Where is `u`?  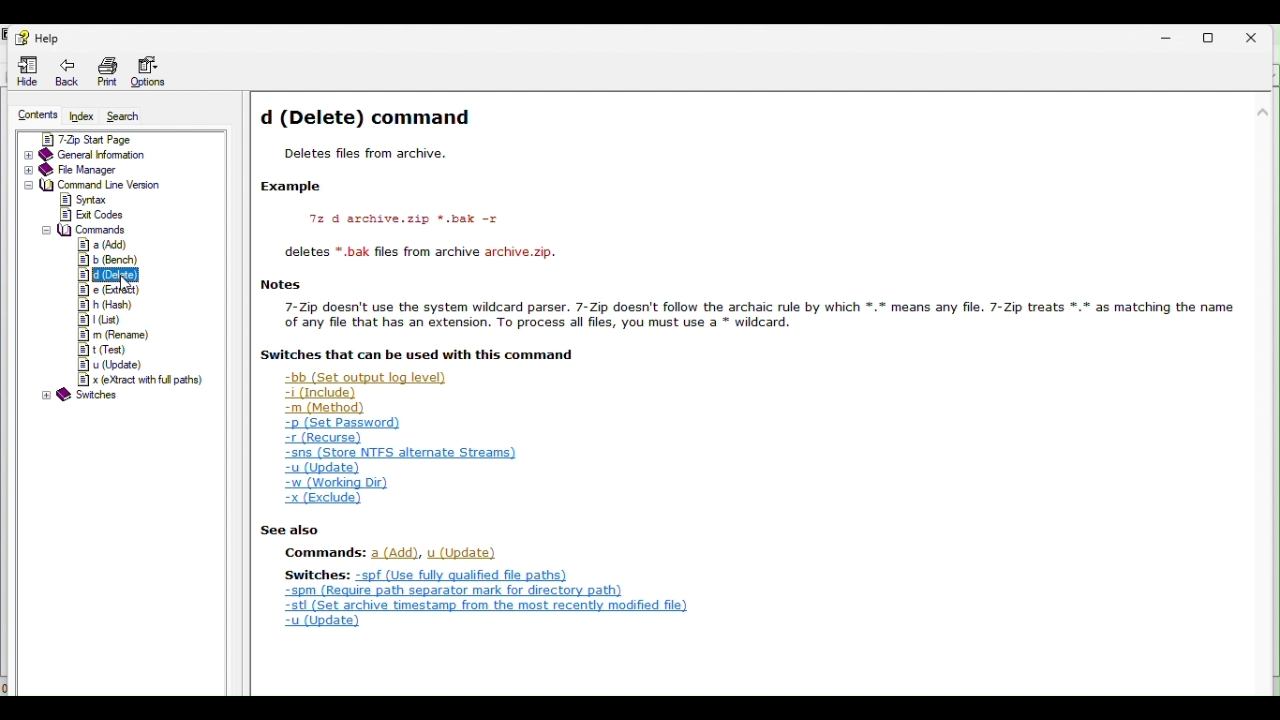 u is located at coordinates (109, 366).